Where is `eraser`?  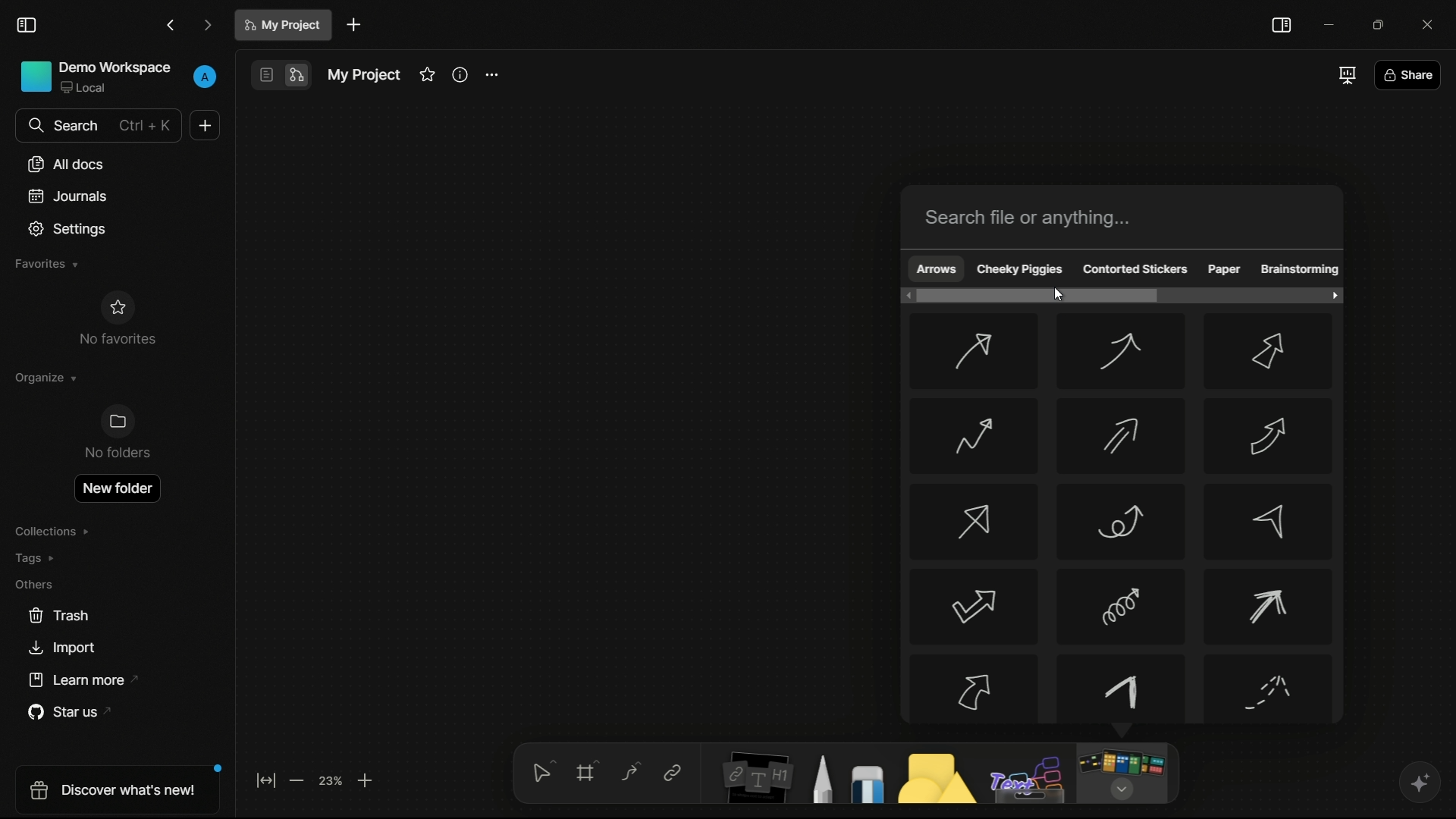 eraser is located at coordinates (868, 783).